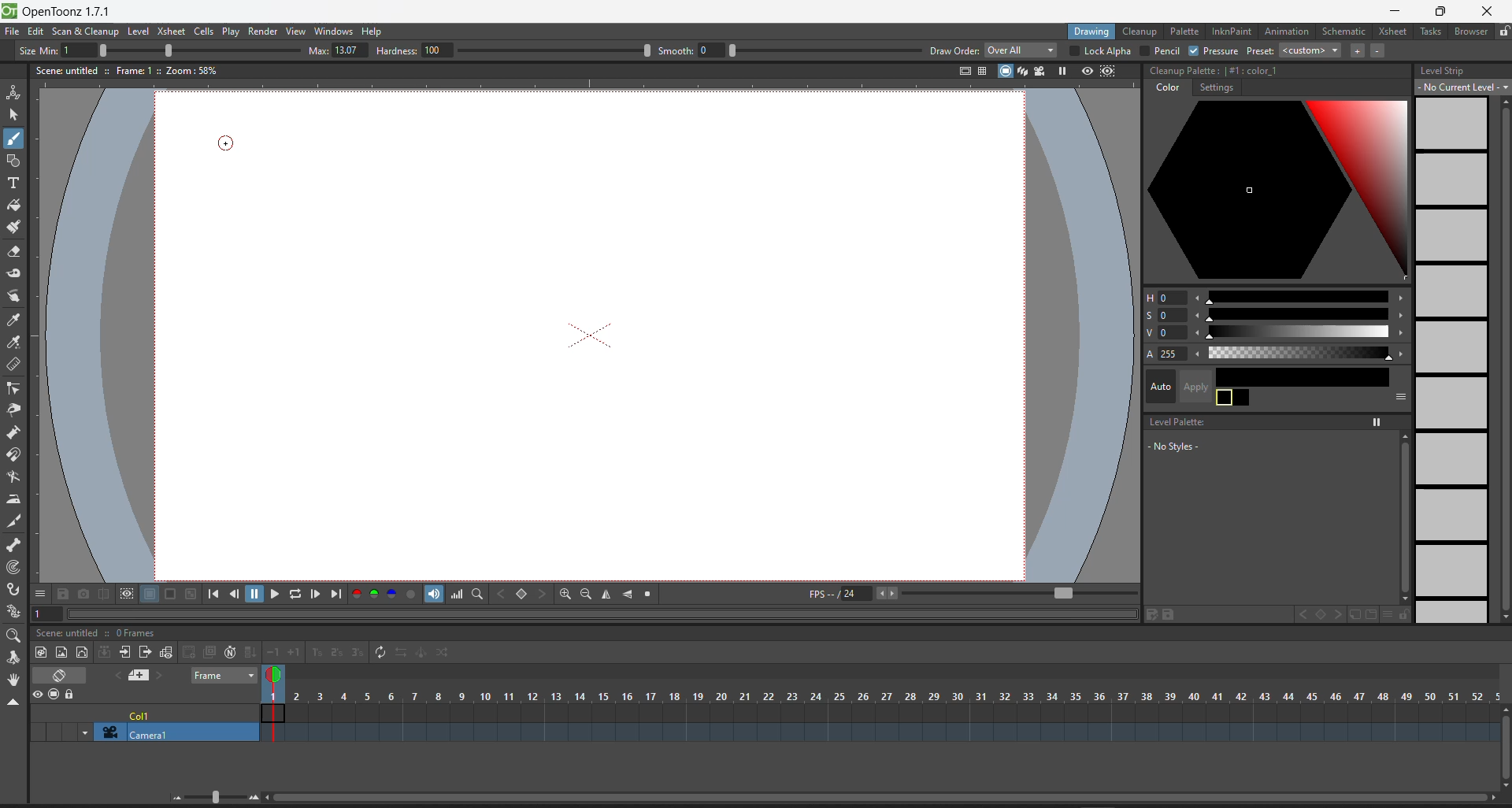 The image size is (1512, 808). I want to click on cutter tool, so click(15, 524).